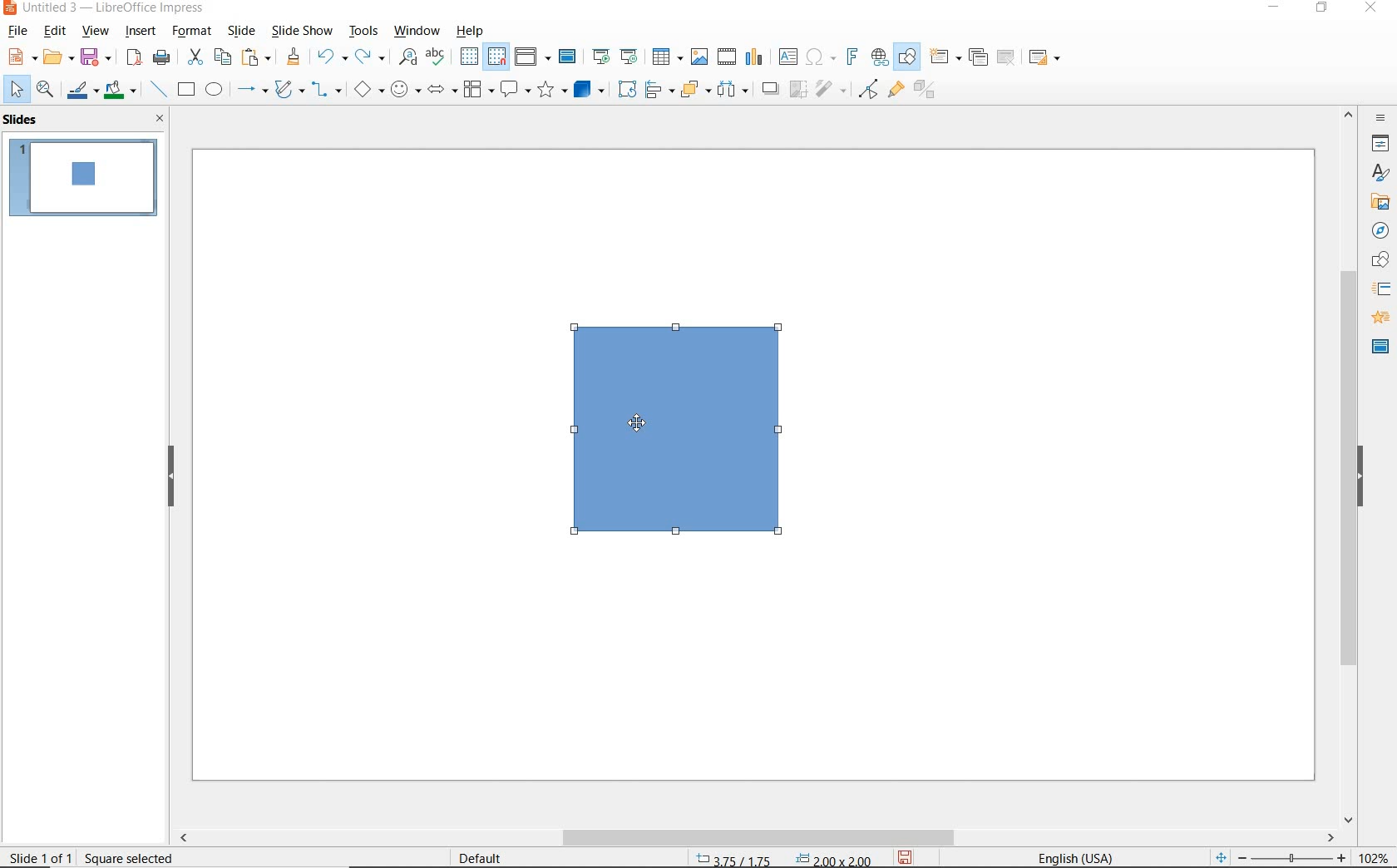  What do you see at coordinates (442, 91) in the screenshot?
I see `block arrows` at bounding box center [442, 91].